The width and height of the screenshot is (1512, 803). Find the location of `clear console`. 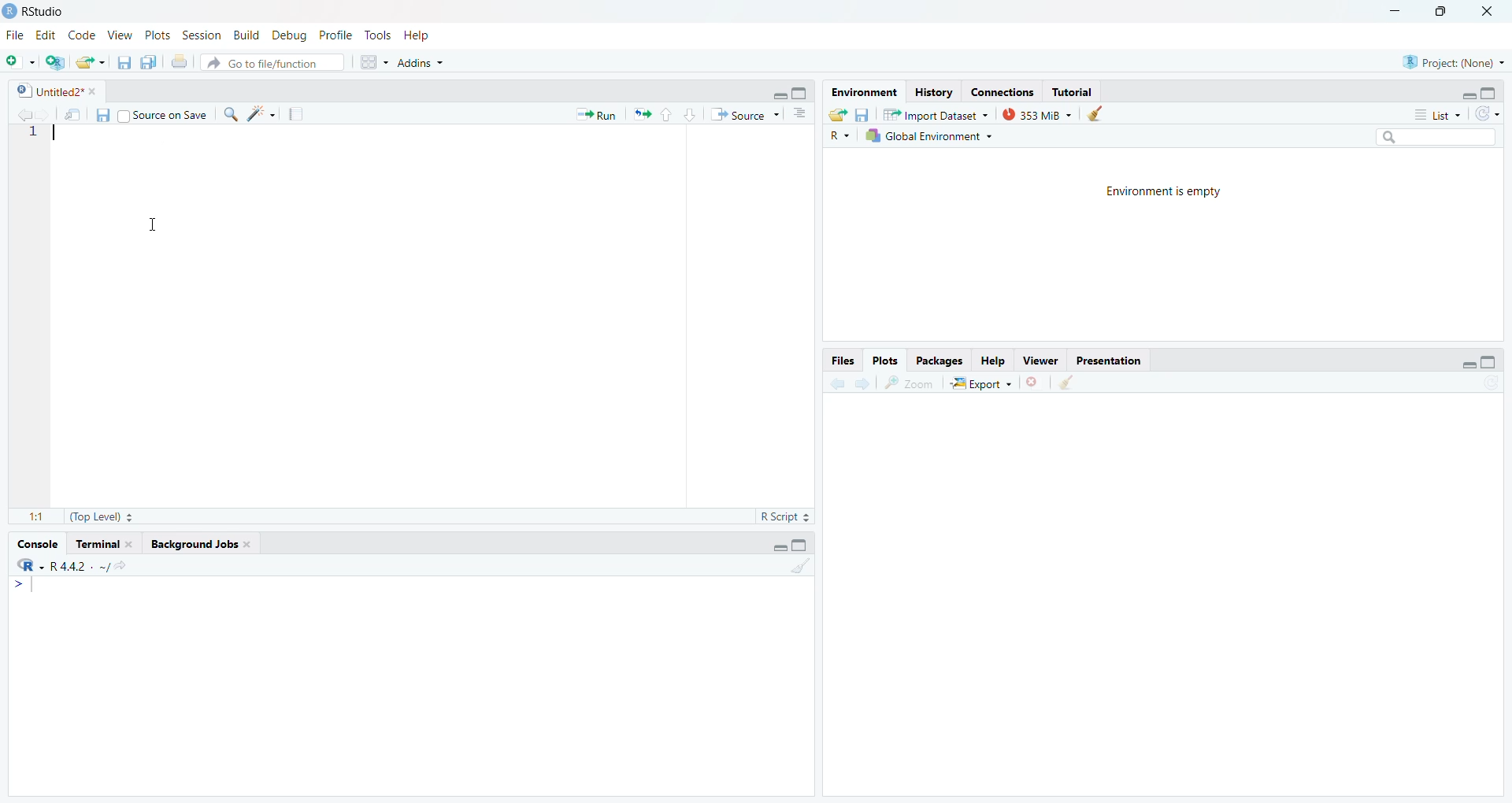

clear console is located at coordinates (802, 568).